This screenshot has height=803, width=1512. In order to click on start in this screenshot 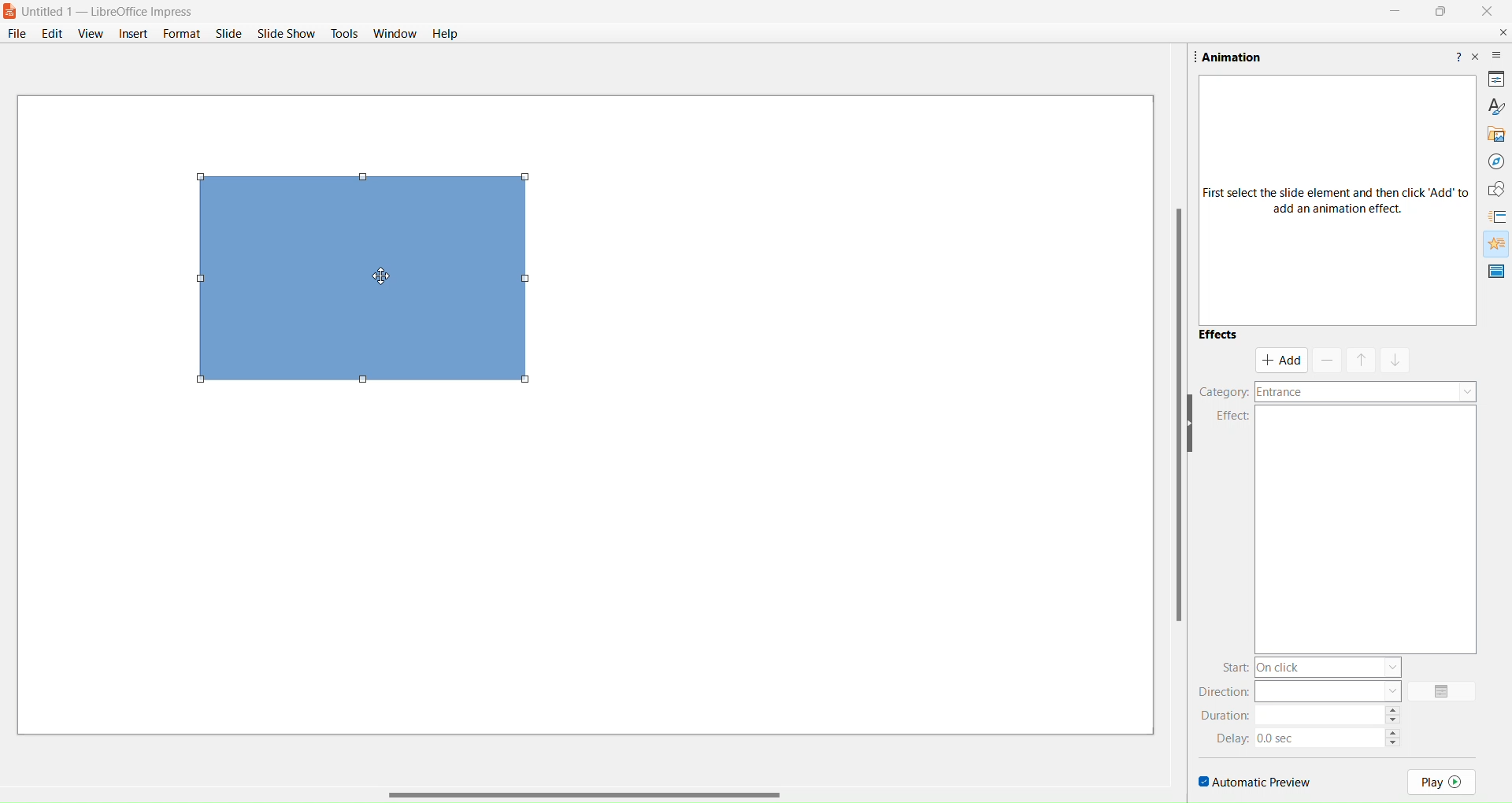, I will do `click(1235, 665)`.